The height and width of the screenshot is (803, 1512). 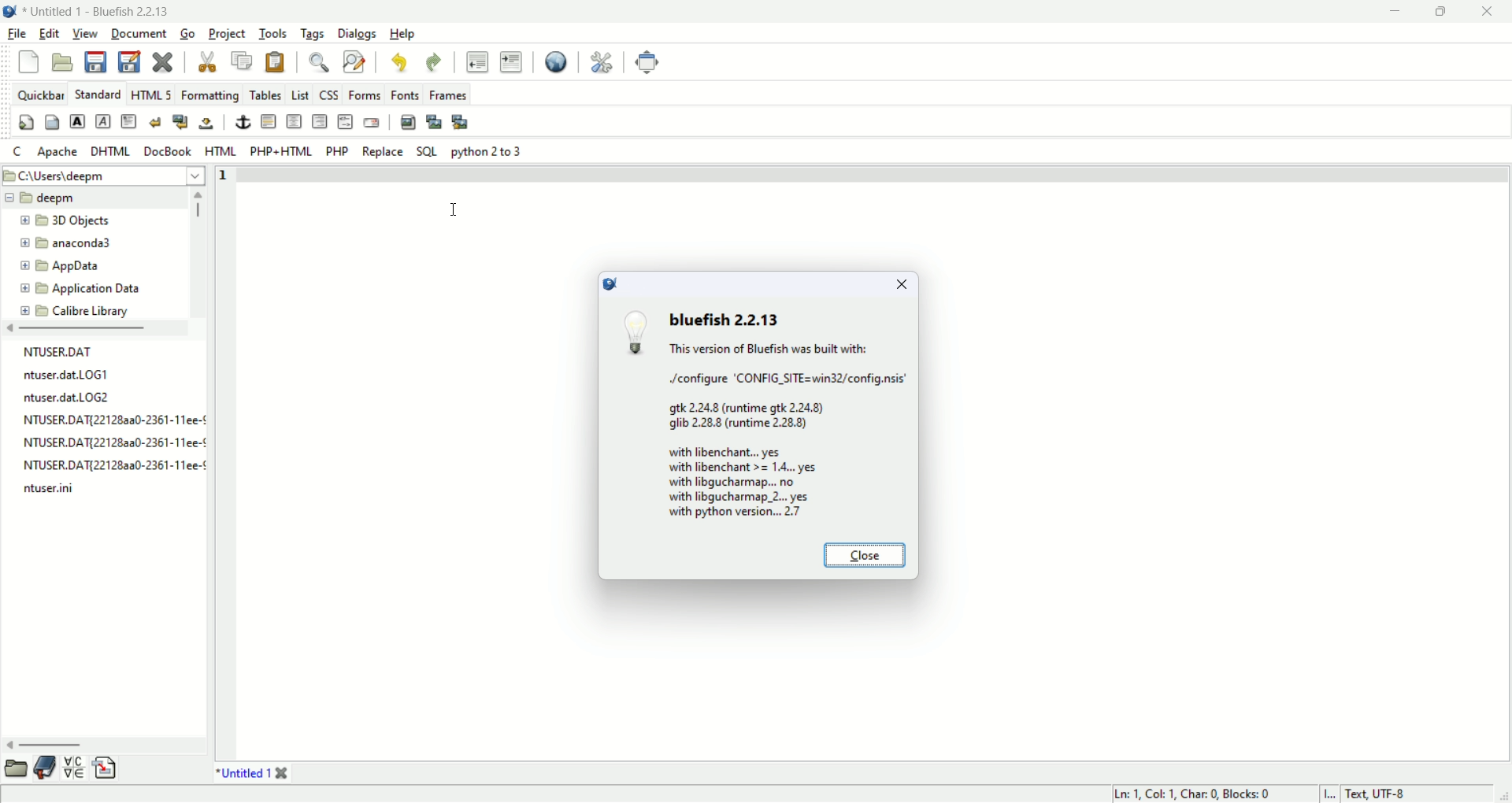 I want to click on cursor, so click(x=457, y=211).